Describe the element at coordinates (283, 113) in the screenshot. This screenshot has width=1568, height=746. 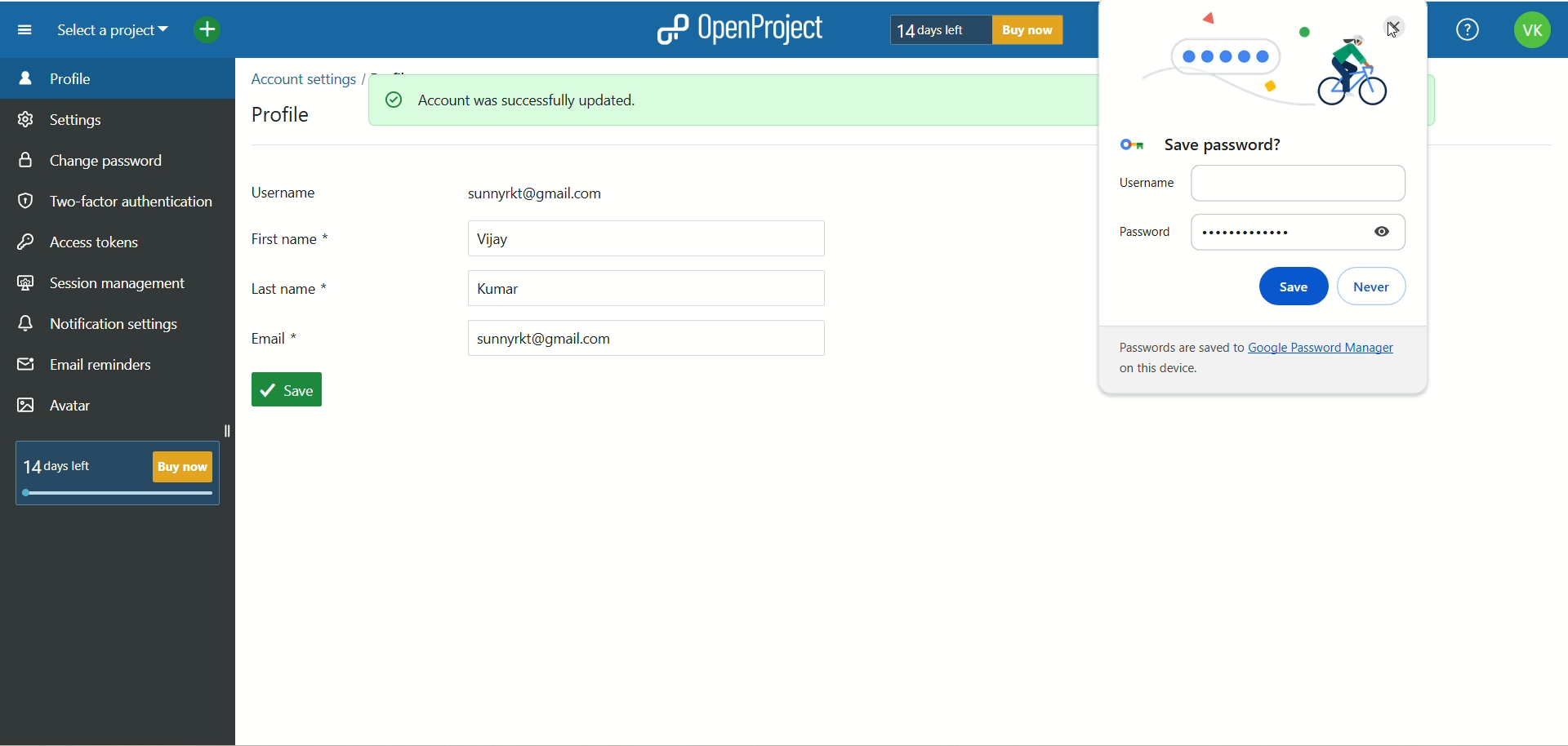
I see `profile` at that location.